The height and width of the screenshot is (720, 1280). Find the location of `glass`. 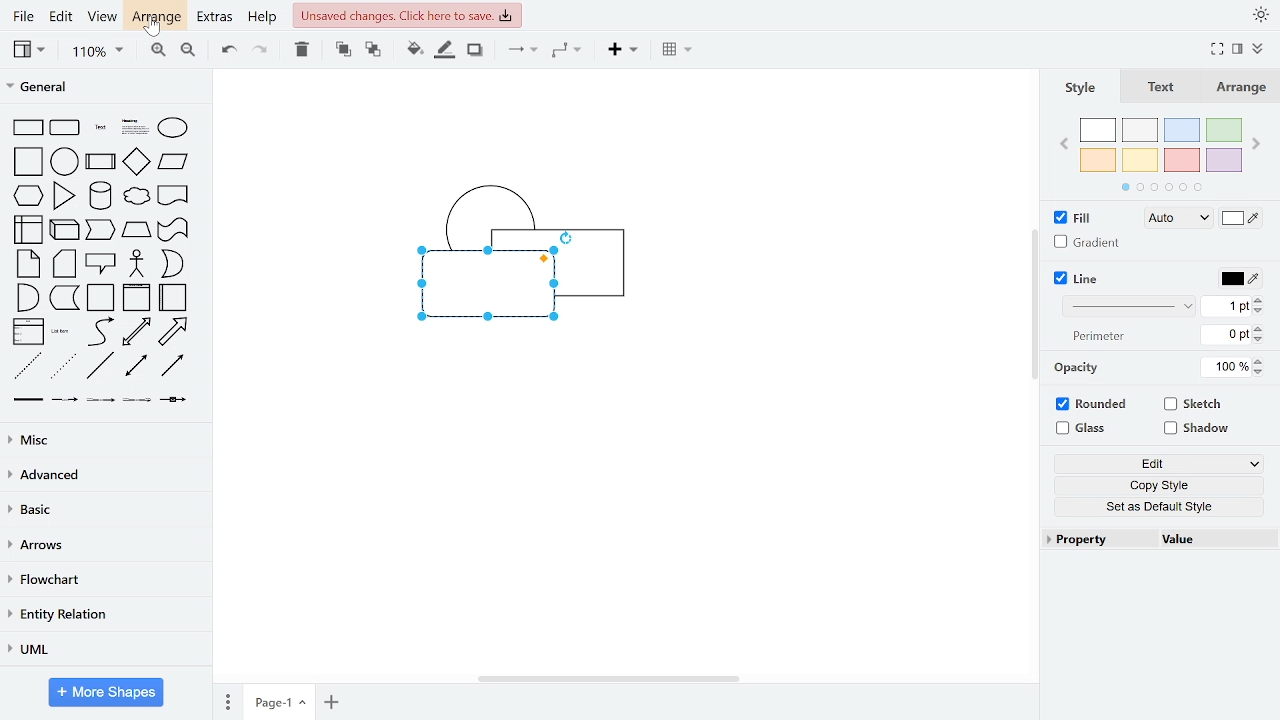

glass is located at coordinates (1084, 429).